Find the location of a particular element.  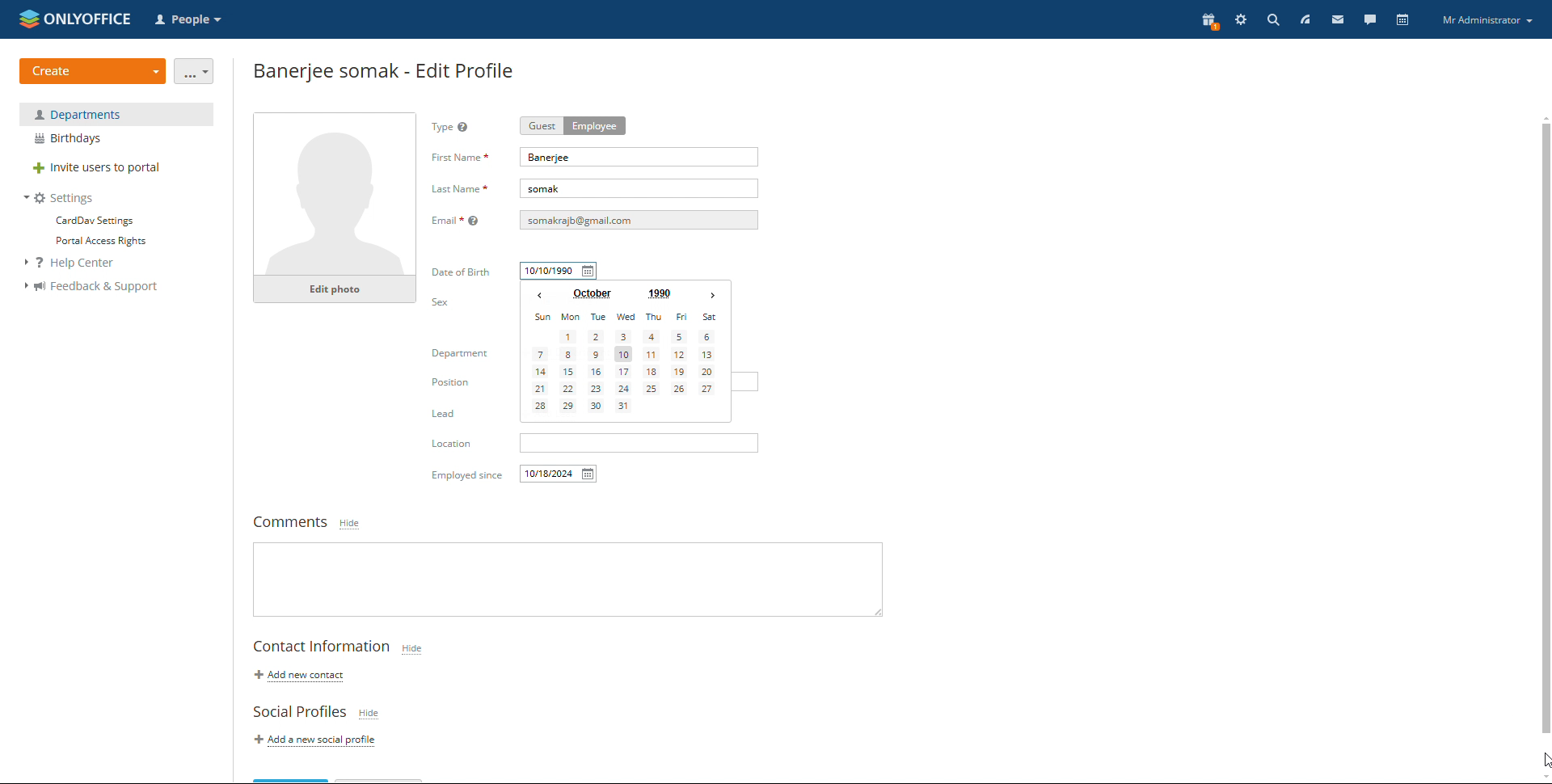

next month is located at coordinates (711, 295).